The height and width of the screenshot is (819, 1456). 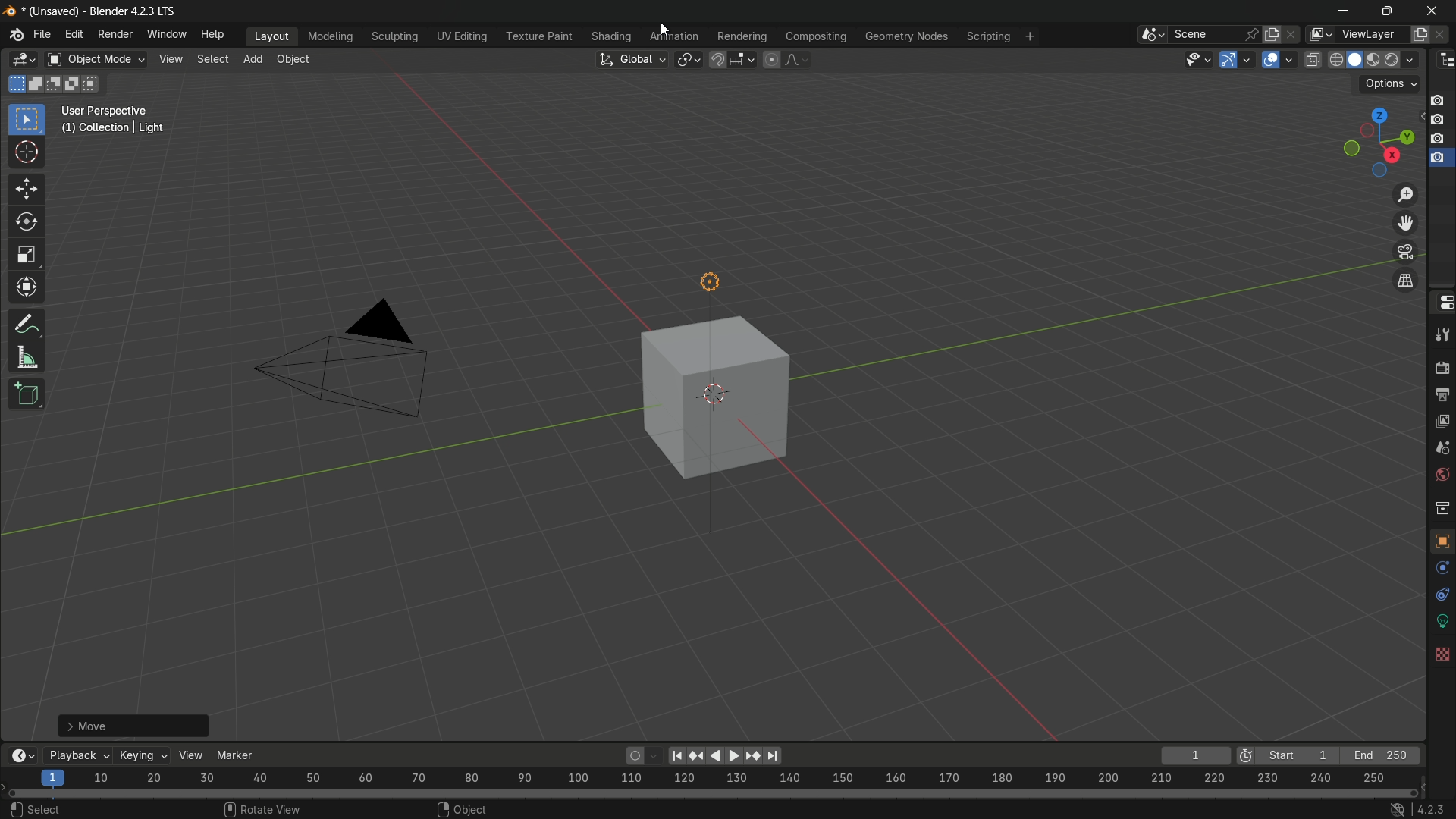 I want to click on object, so click(x=1441, y=544).